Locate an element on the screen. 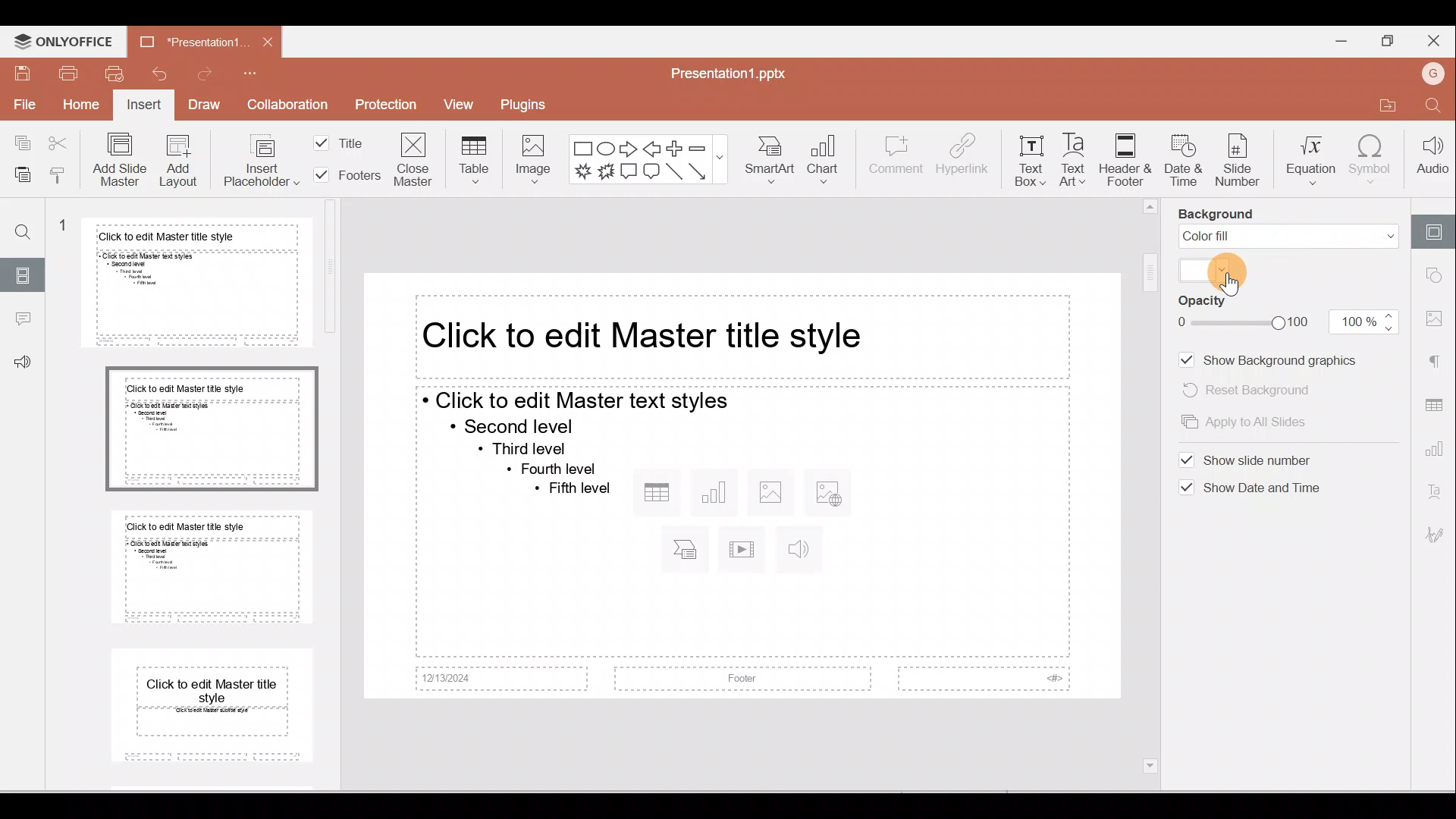 Image resolution: width=1456 pixels, height=819 pixels. Chart settings is located at coordinates (1437, 452).